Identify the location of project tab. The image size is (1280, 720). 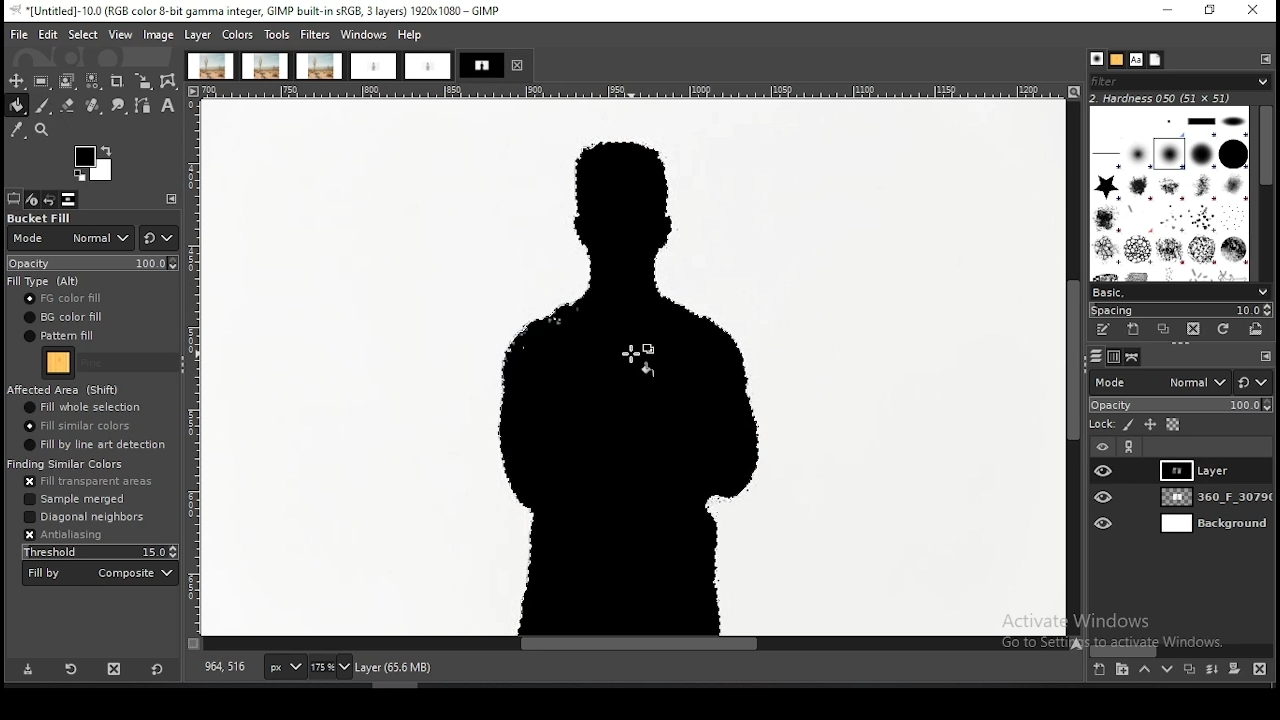
(266, 66).